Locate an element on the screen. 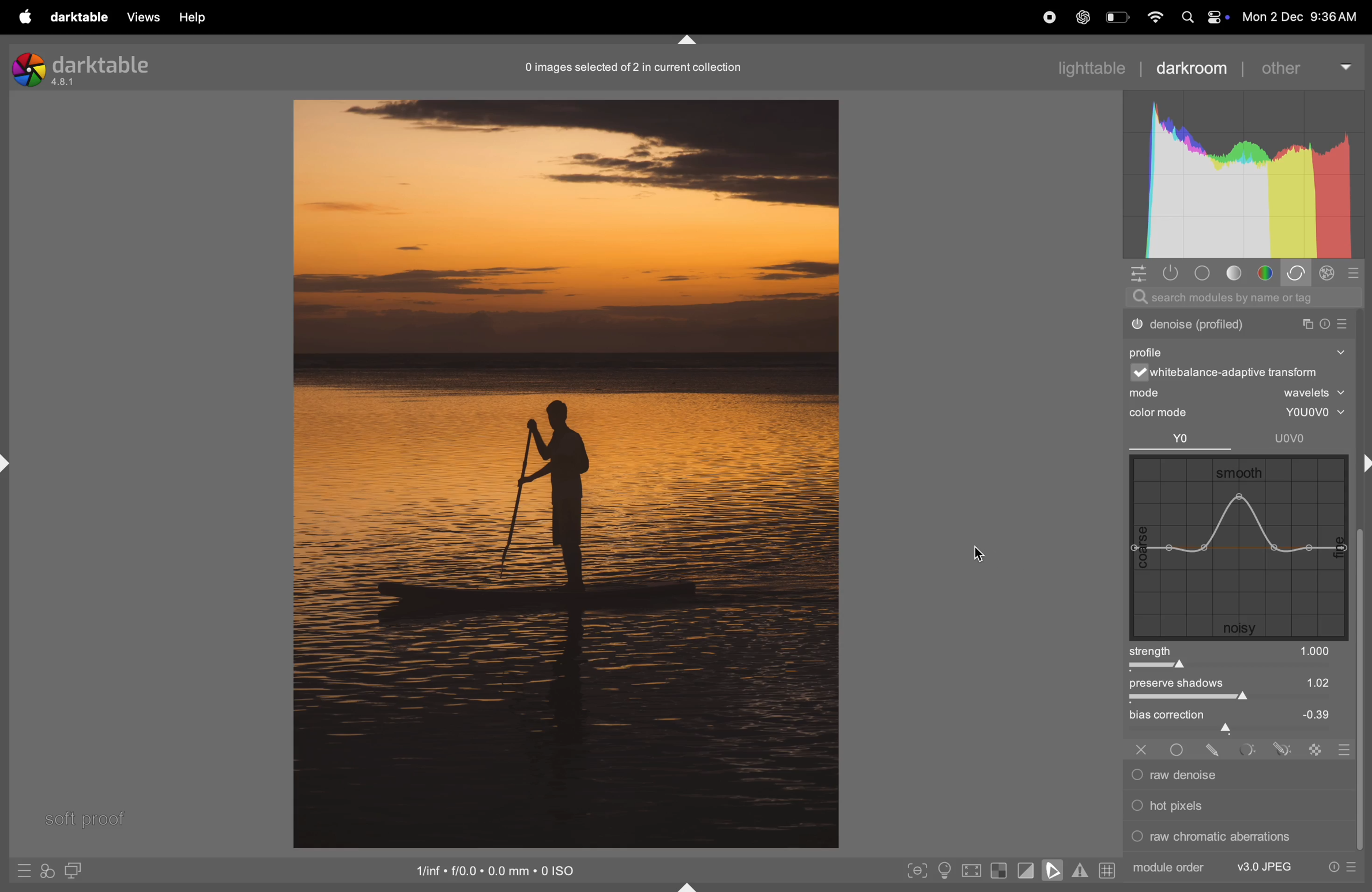 The image size is (1372, 892). histogram is located at coordinates (1243, 176).